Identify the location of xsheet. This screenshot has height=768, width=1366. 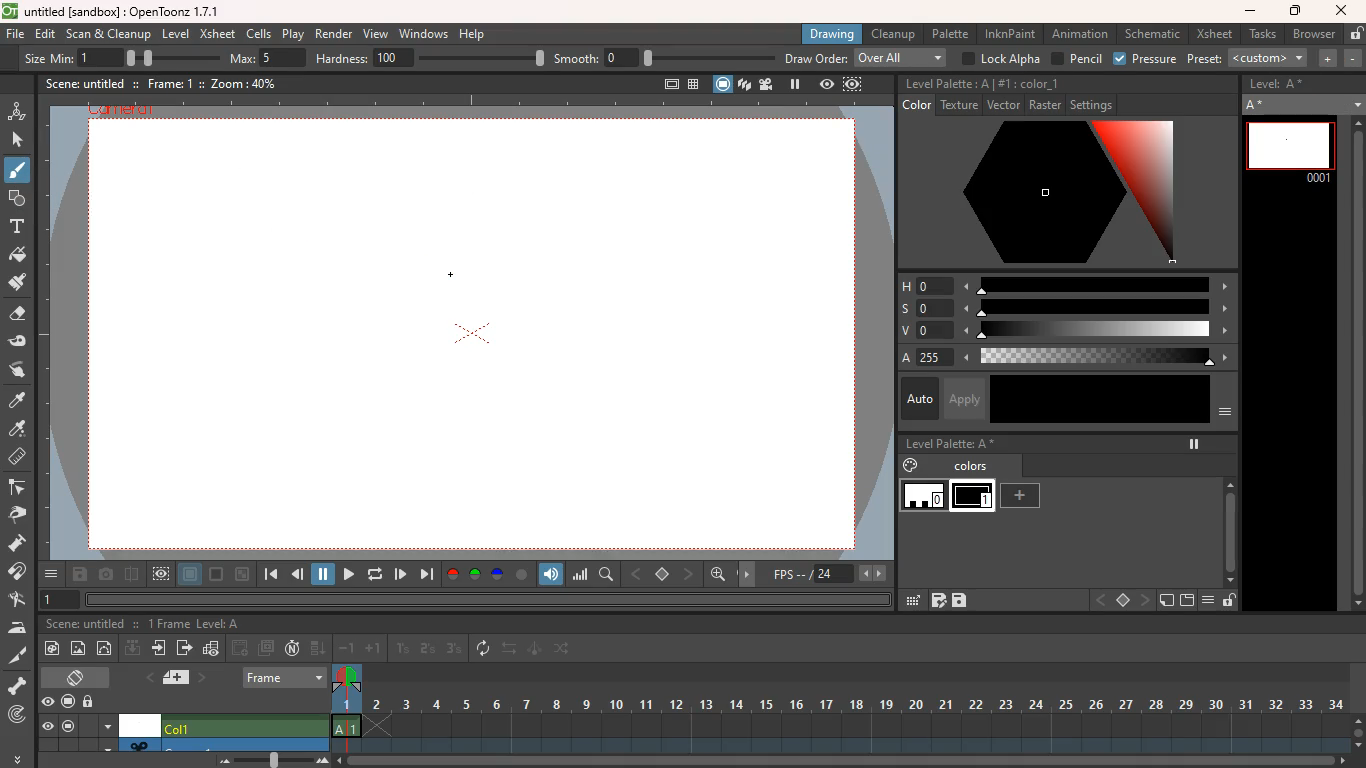
(1214, 35).